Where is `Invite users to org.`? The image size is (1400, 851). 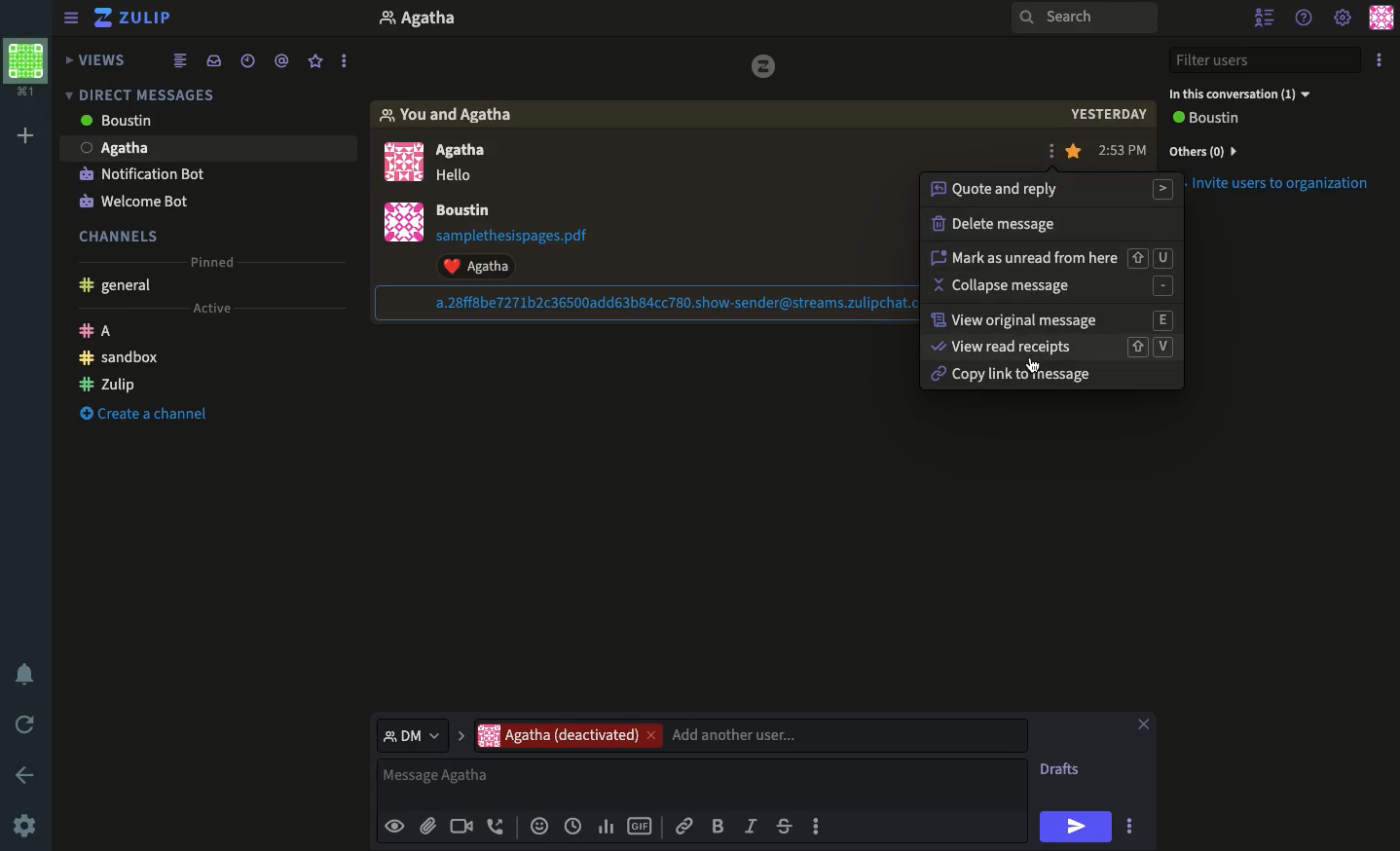 Invite users to org. is located at coordinates (1272, 148).